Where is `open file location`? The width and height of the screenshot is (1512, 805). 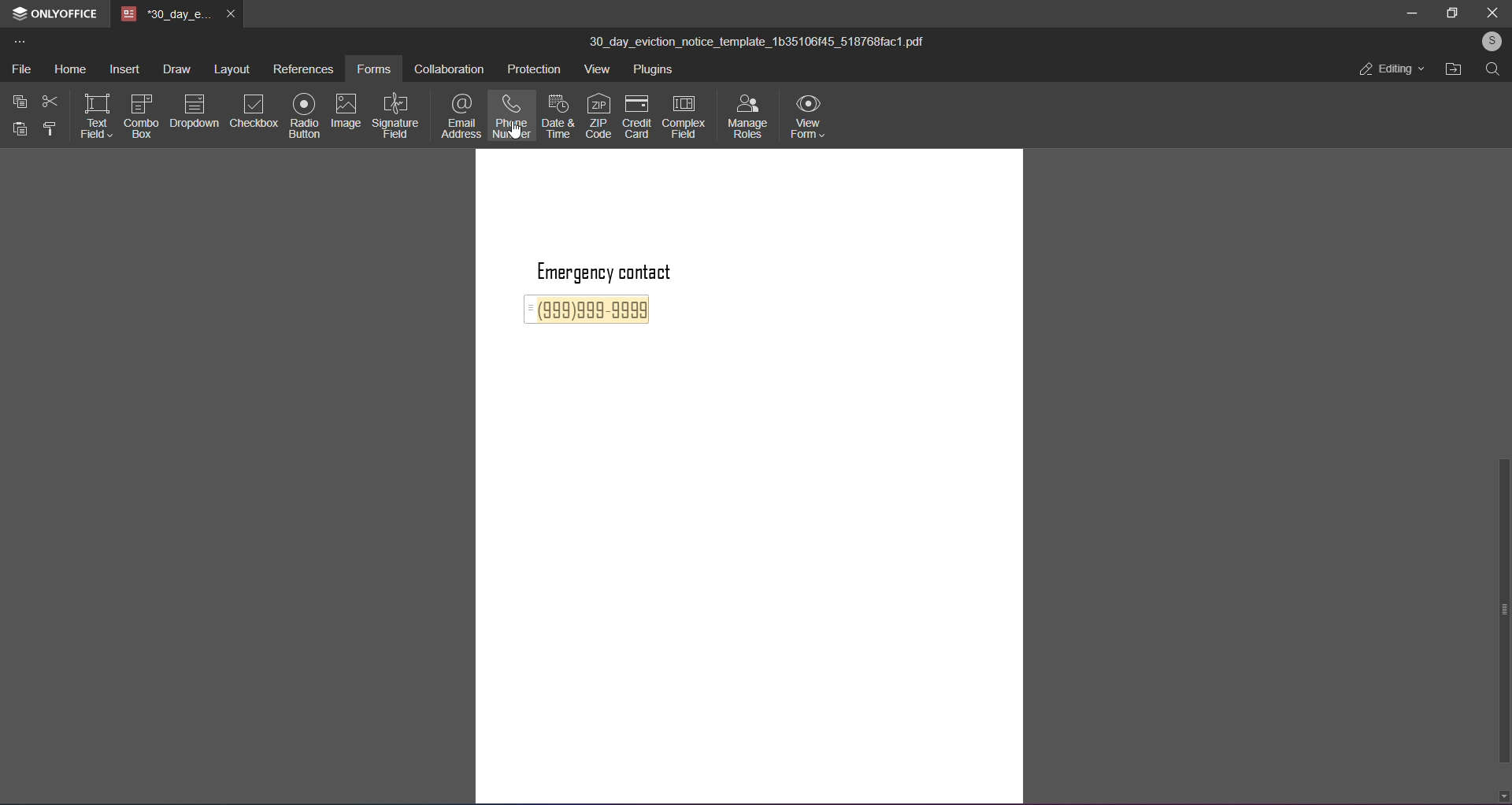
open file location is located at coordinates (1453, 70).